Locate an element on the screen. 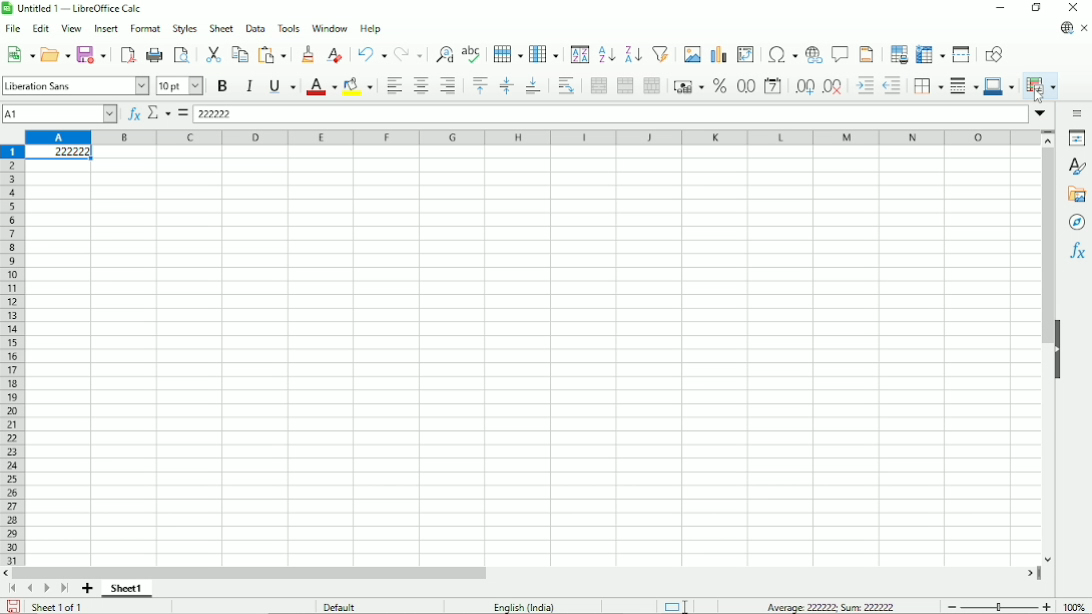  Formula is located at coordinates (183, 113).